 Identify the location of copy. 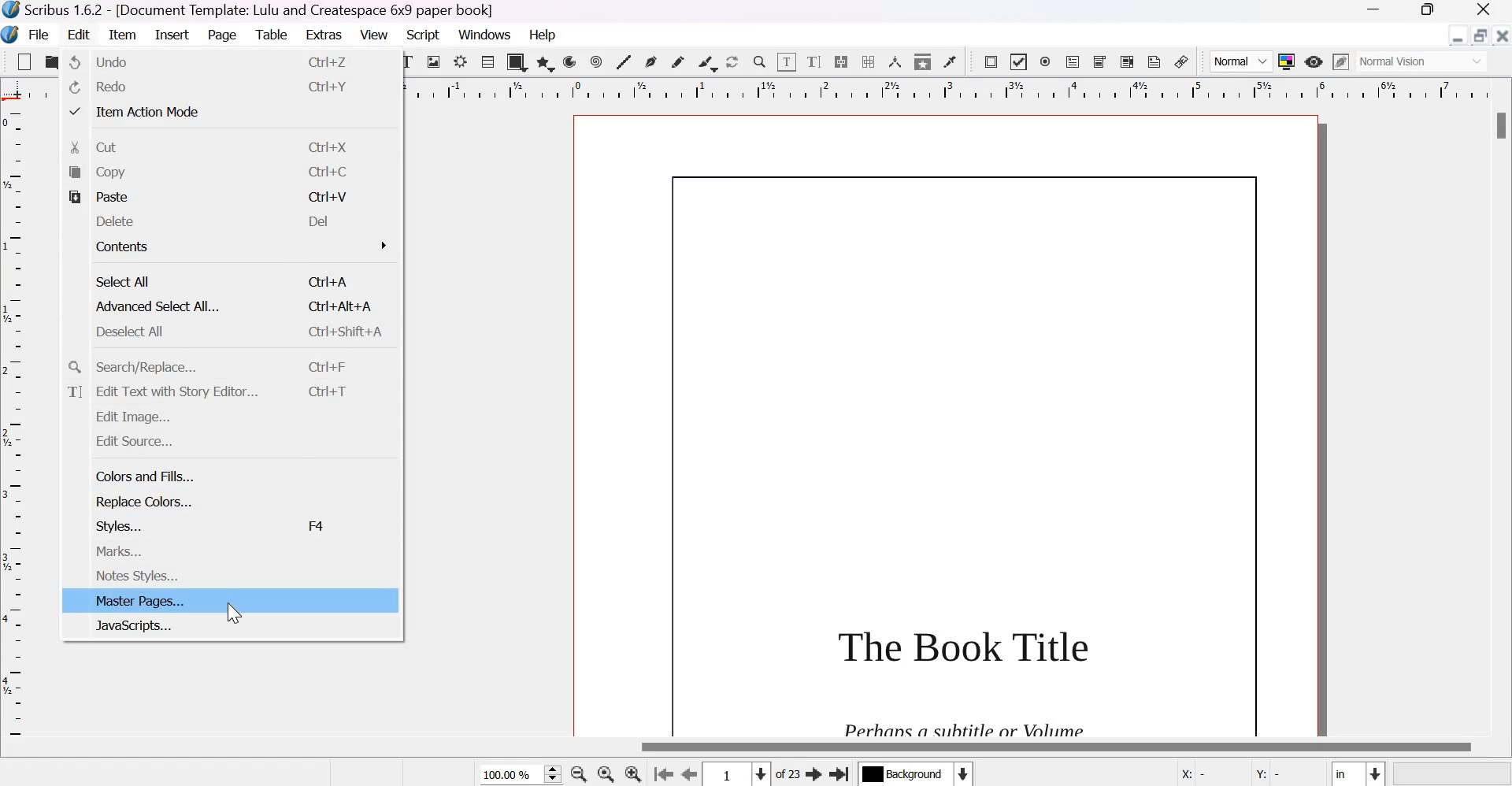
(75, 172).